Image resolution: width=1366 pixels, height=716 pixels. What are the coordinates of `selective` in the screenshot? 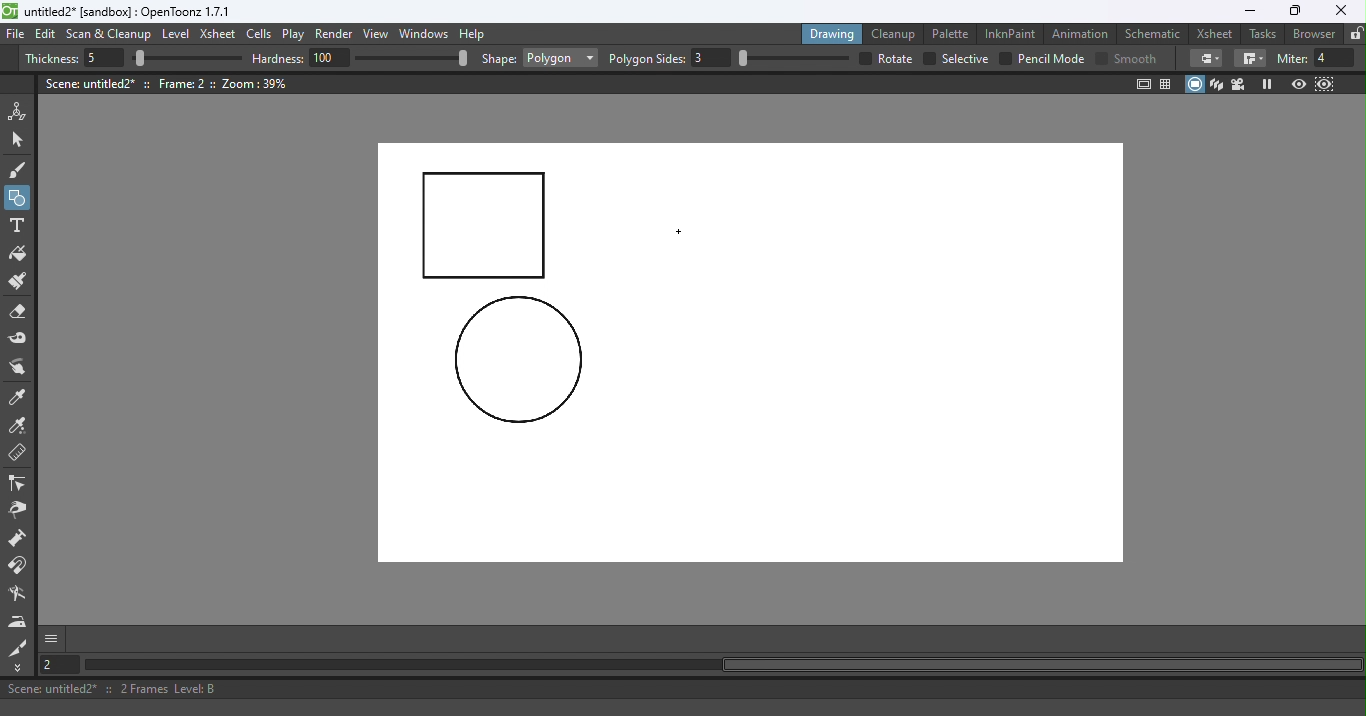 It's located at (965, 59).